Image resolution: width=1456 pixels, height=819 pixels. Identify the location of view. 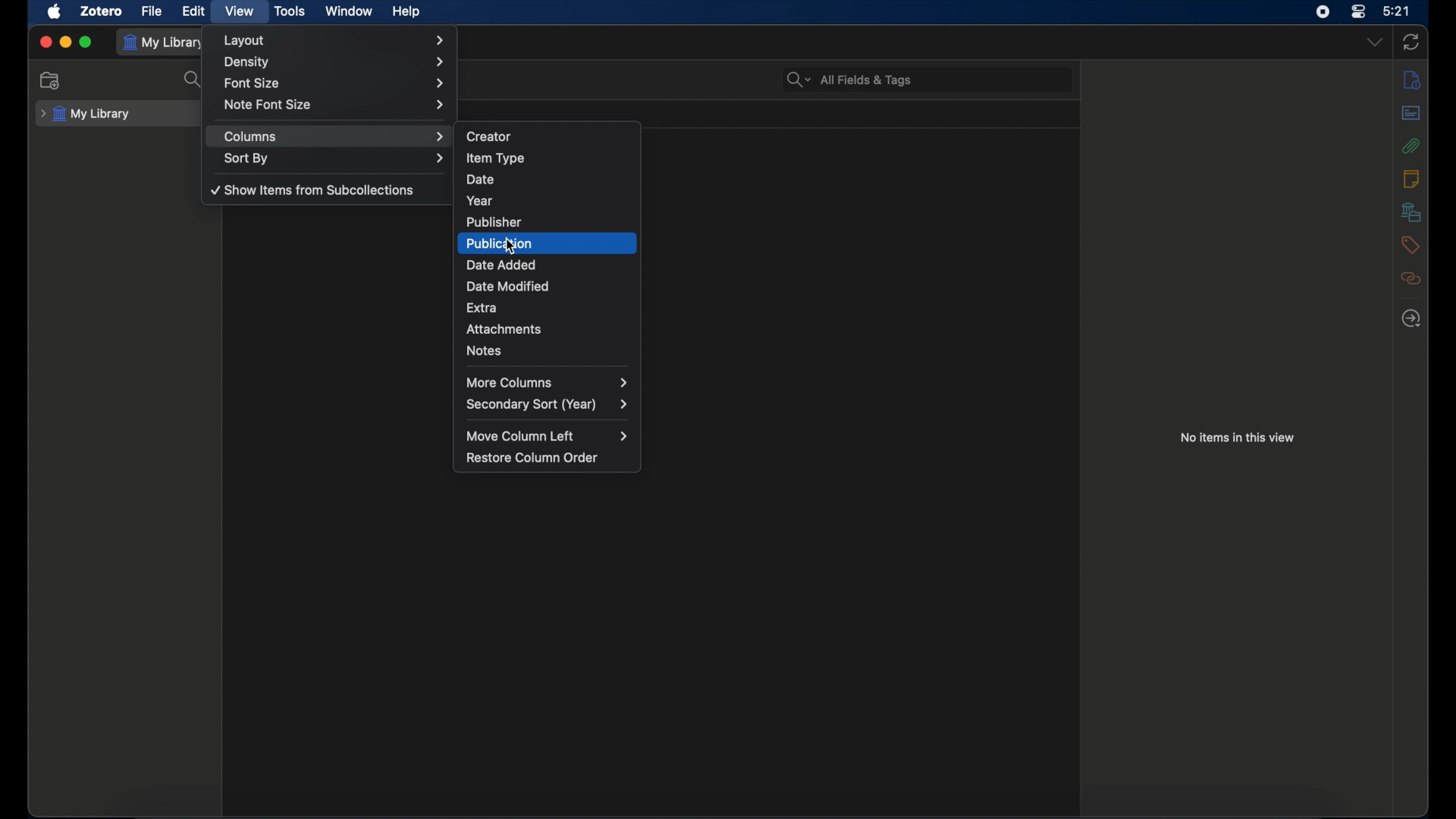
(238, 11).